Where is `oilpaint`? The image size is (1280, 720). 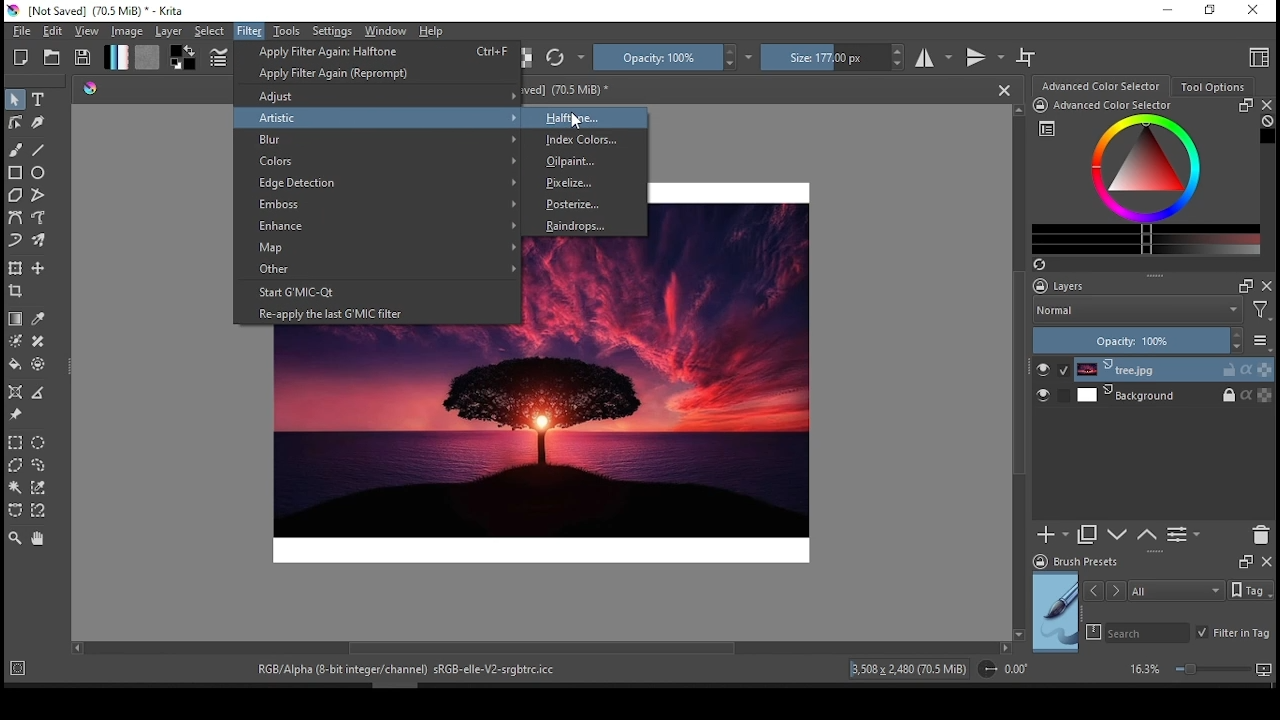
oilpaint is located at coordinates (585, 160).